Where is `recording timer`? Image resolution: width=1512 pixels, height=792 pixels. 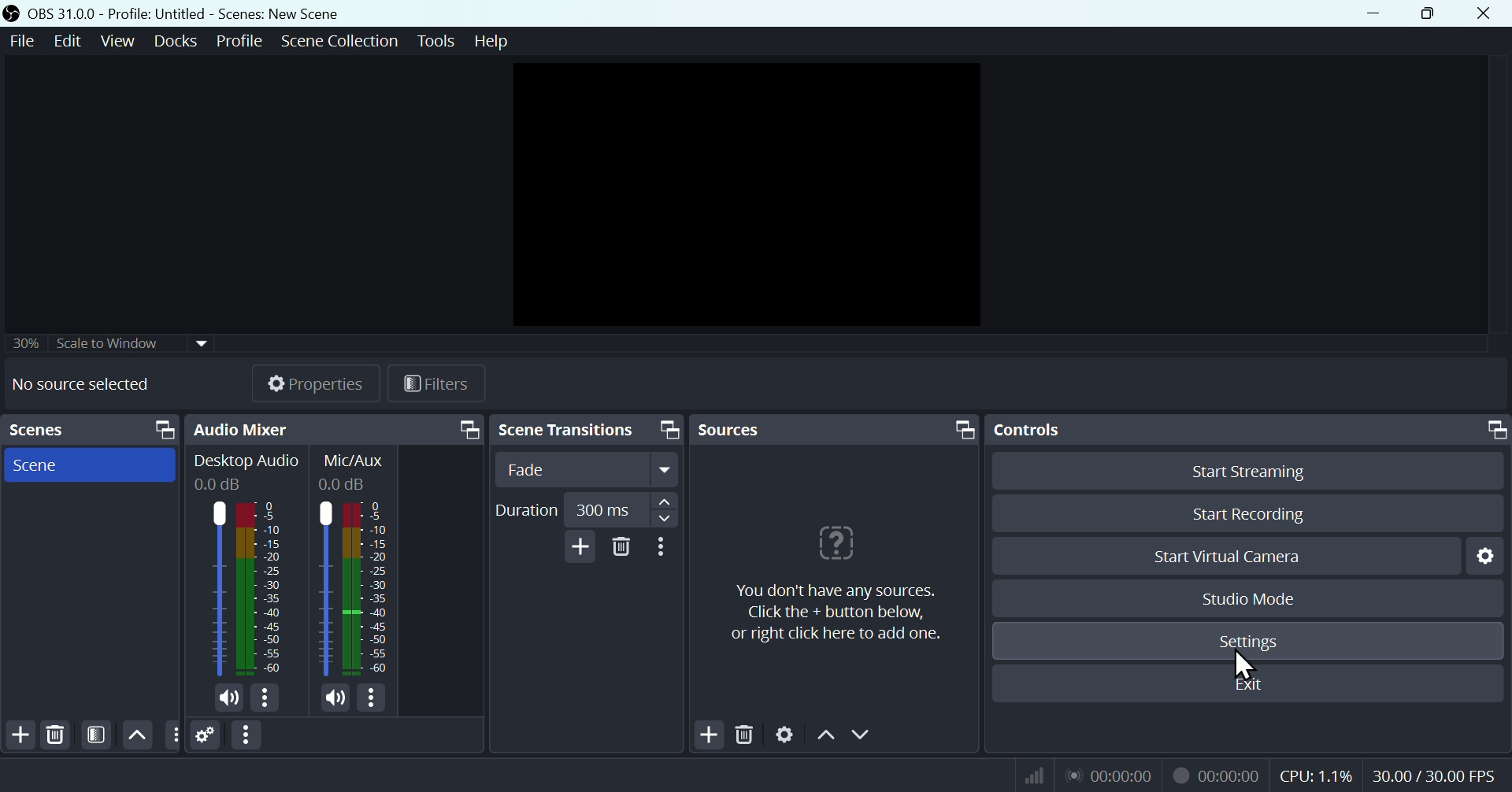 recording timer is located at coordinates (1214, 775).